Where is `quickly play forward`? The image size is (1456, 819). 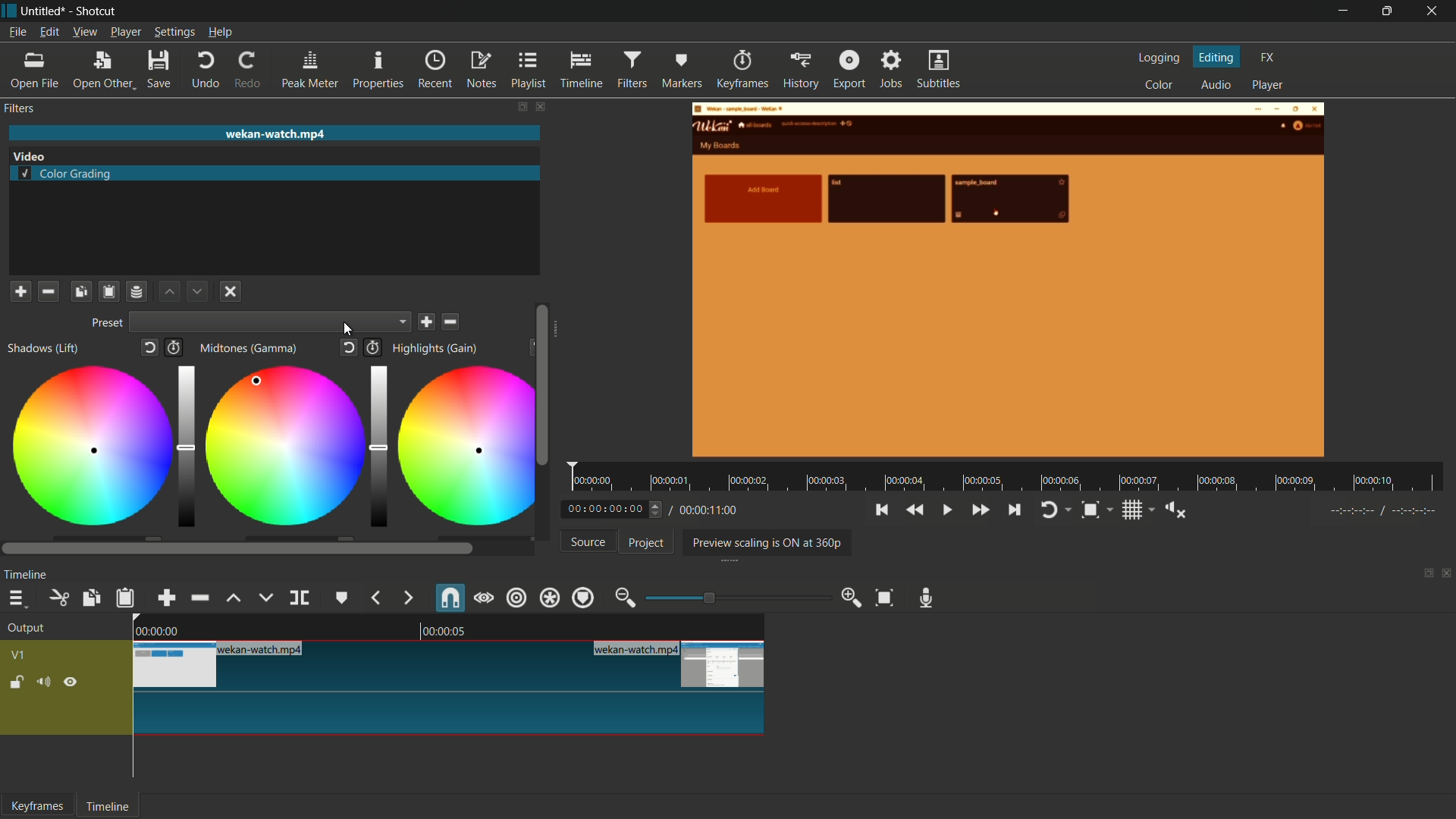 quickly play forward is located at coordinates (980, 510).